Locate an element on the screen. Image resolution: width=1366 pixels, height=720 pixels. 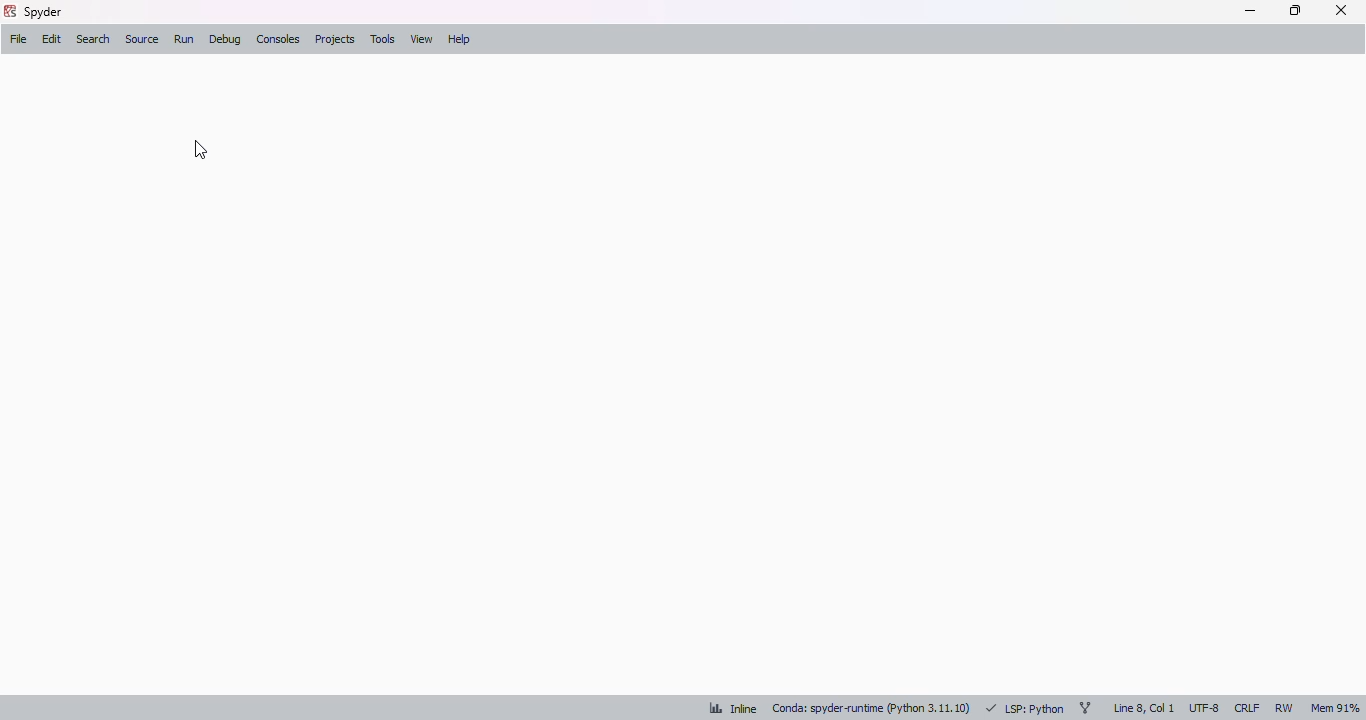
source is located at coordinates (143, 39).